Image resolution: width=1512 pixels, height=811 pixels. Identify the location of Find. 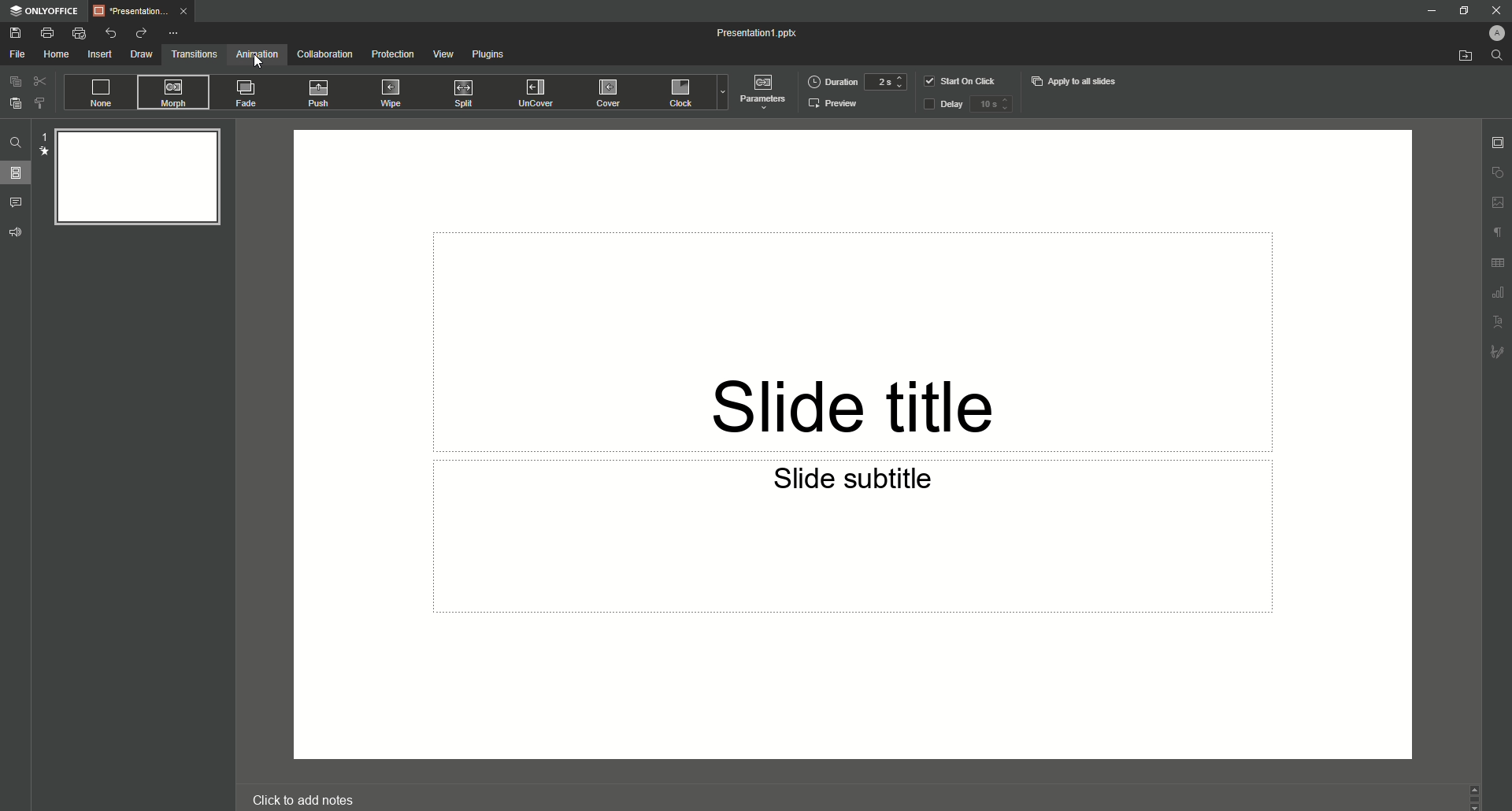
(18, 145).